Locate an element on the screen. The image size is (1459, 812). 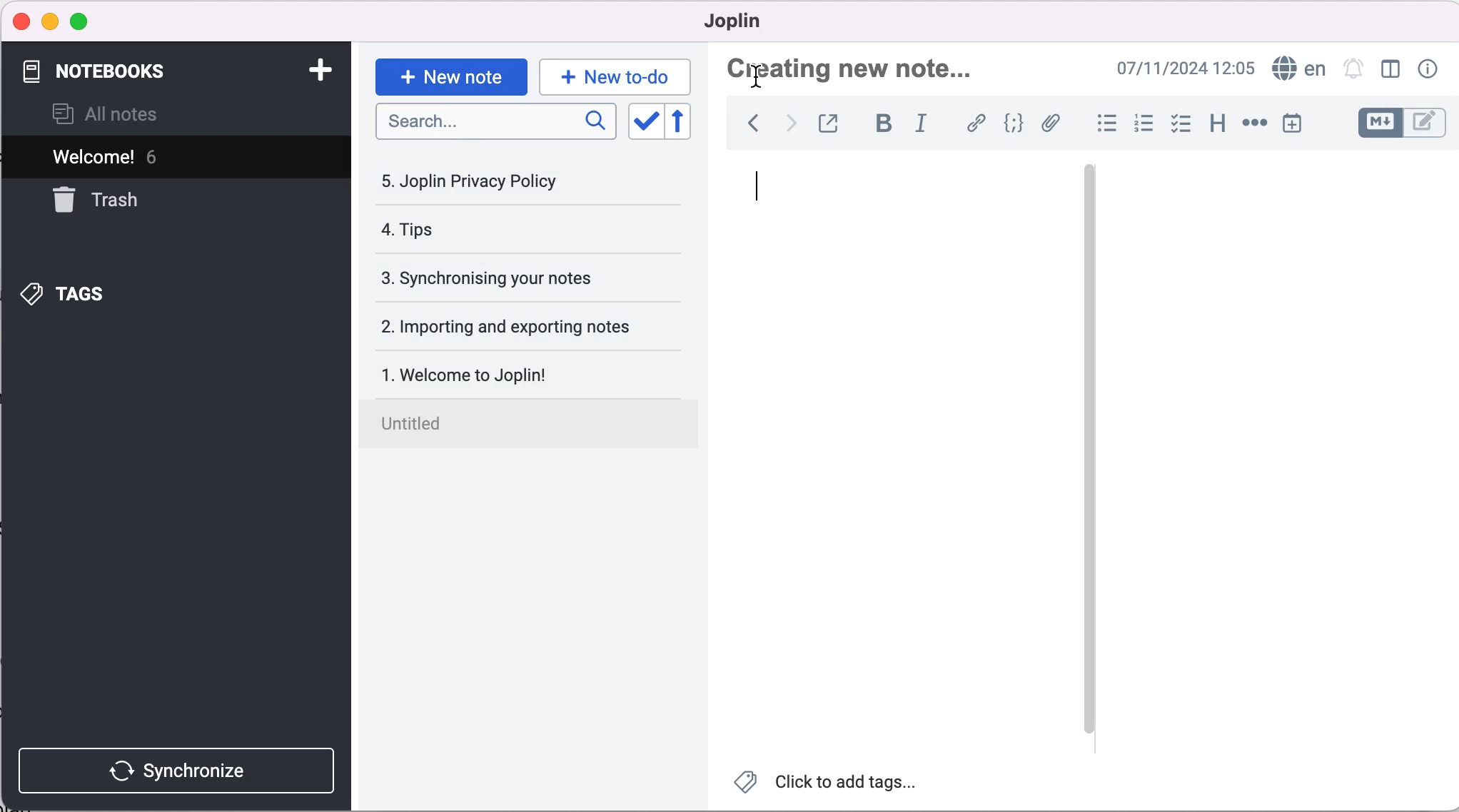
bulleted list is located at coordinates (1101, 122).